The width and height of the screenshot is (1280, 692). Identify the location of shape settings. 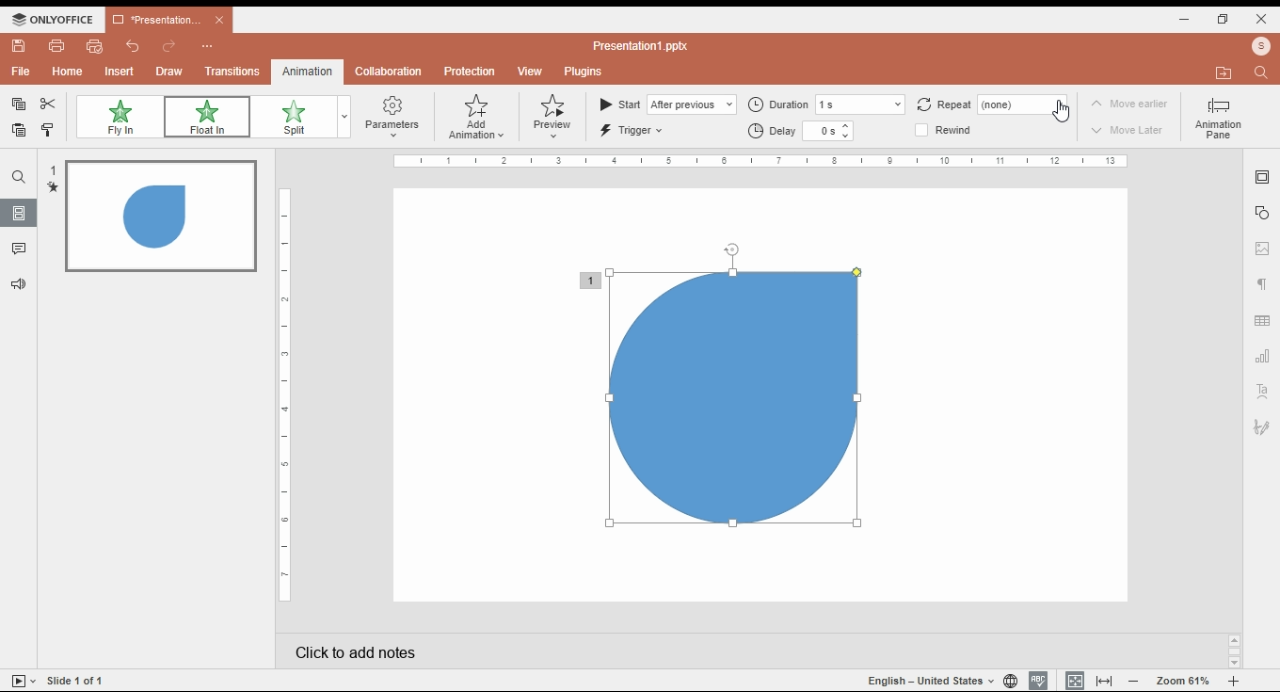
(1261, 215).